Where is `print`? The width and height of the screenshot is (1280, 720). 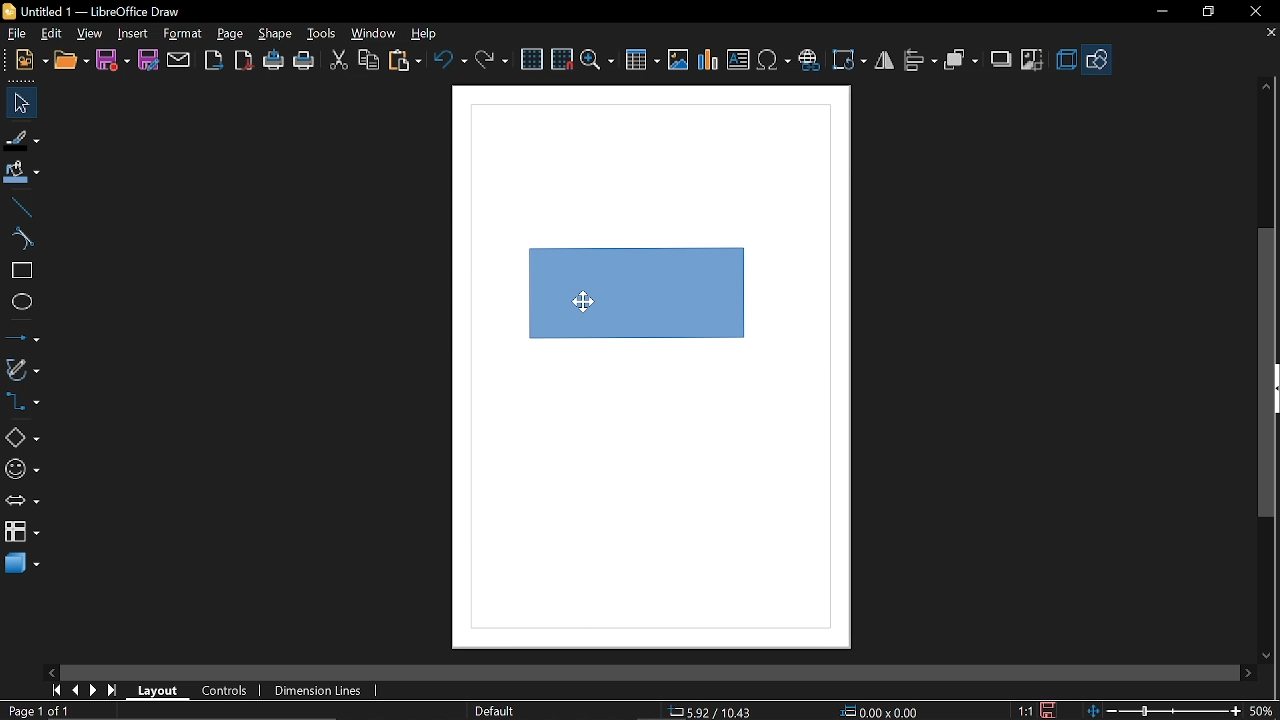
print is located at coordinates (305, 62).